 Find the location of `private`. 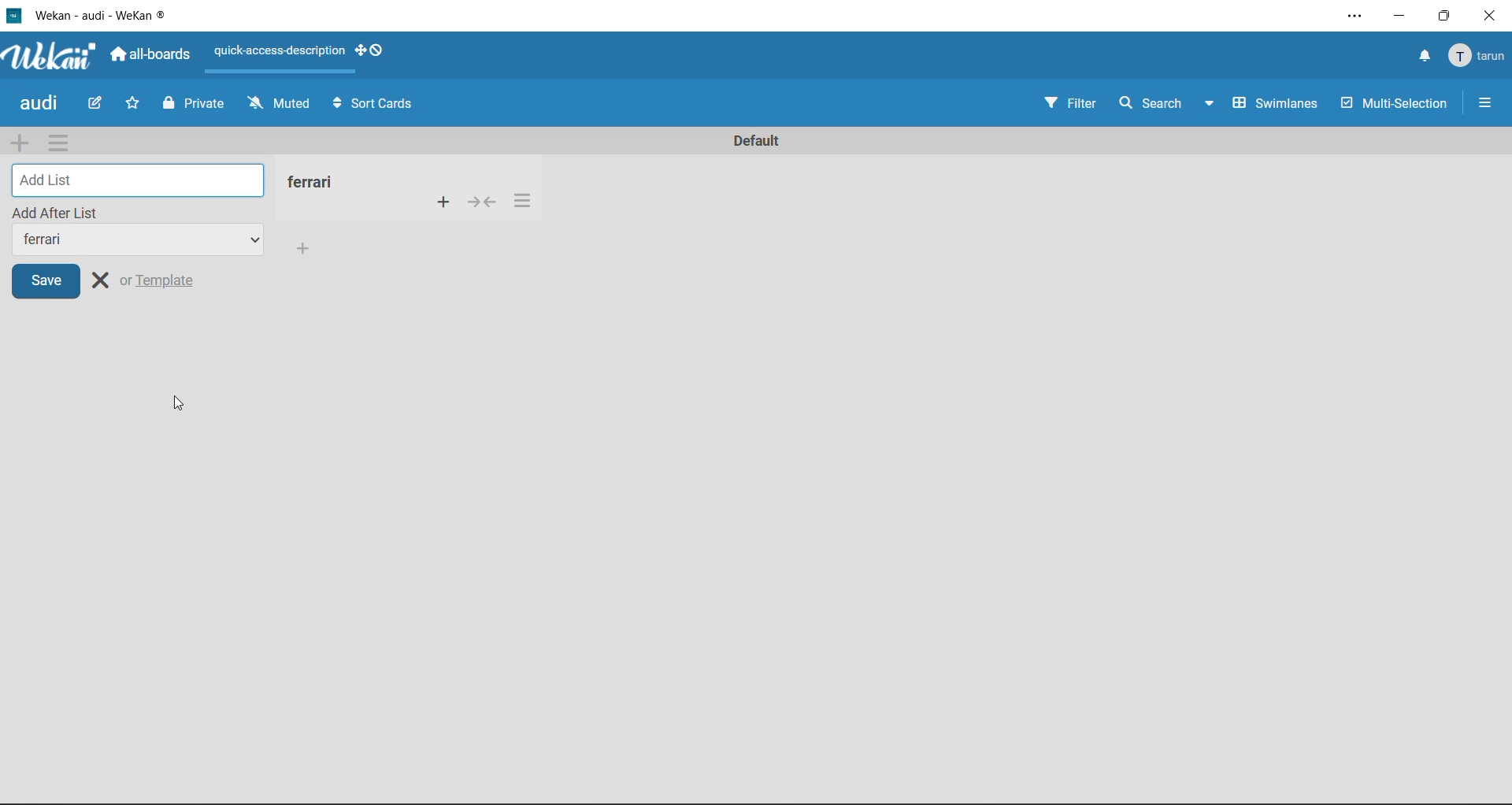

private is located at coordinates (193, 105).